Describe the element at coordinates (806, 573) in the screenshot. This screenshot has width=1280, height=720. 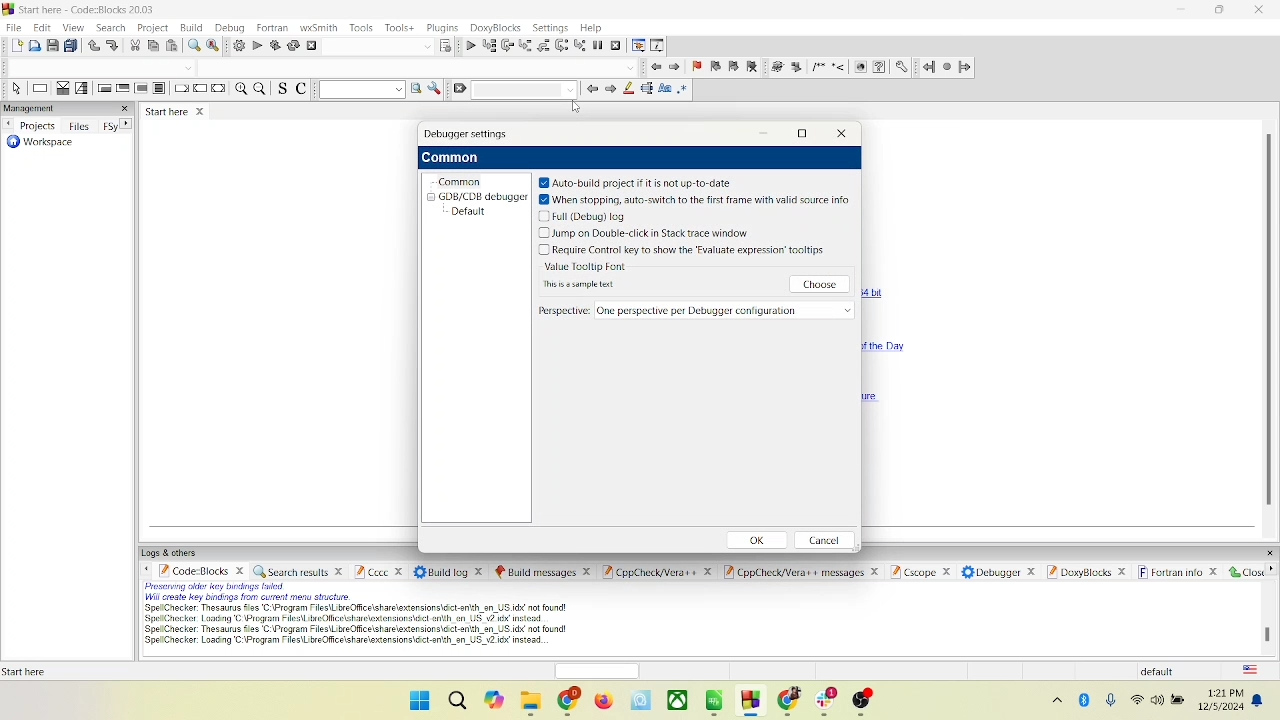
I see `Cppcheck/ver++ message` at that location.